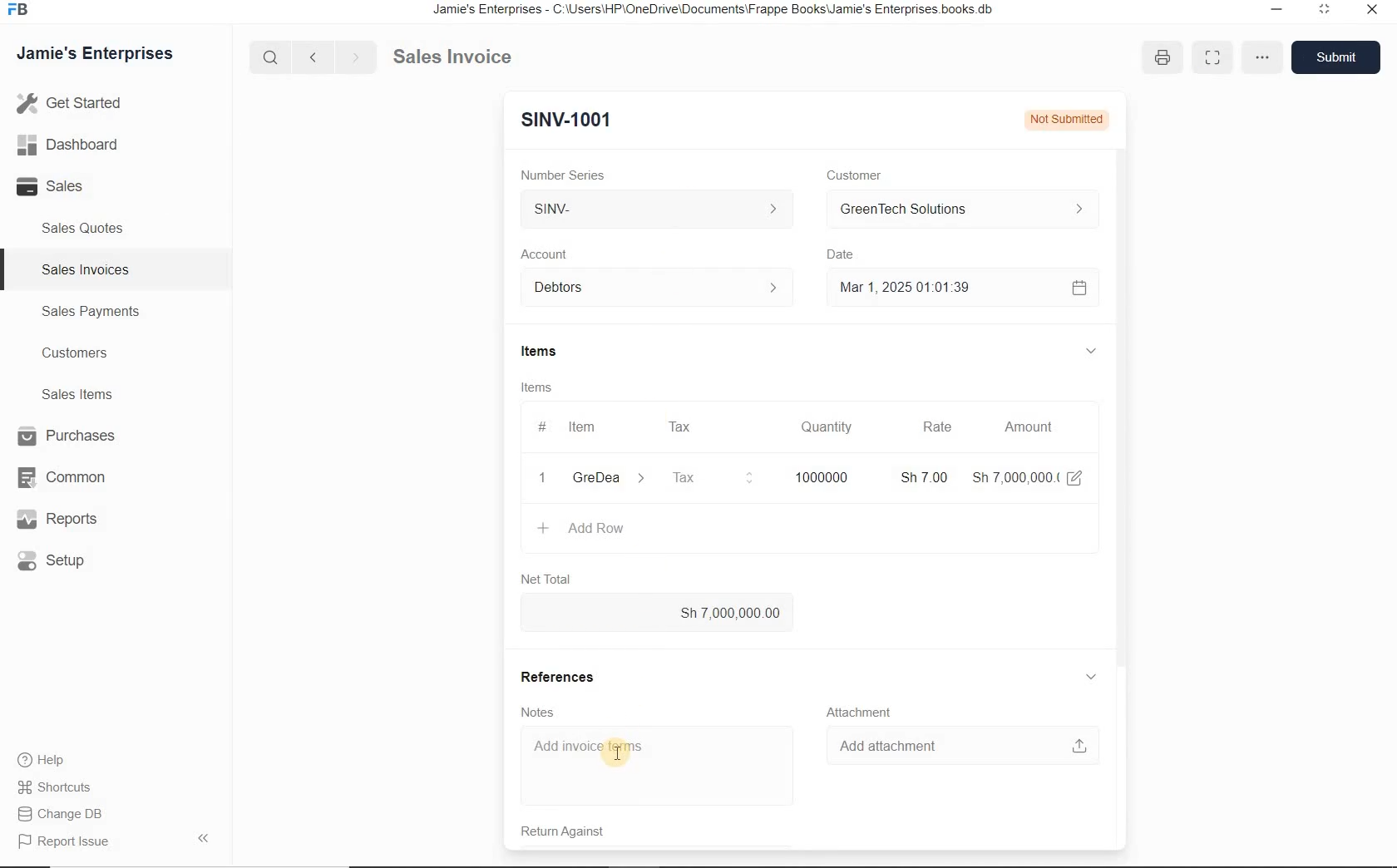 The image size is (1397, 868). What do you see at coordinates (545, 254) in the screenshot?
I see `Account` at bounding box center [545, 254].